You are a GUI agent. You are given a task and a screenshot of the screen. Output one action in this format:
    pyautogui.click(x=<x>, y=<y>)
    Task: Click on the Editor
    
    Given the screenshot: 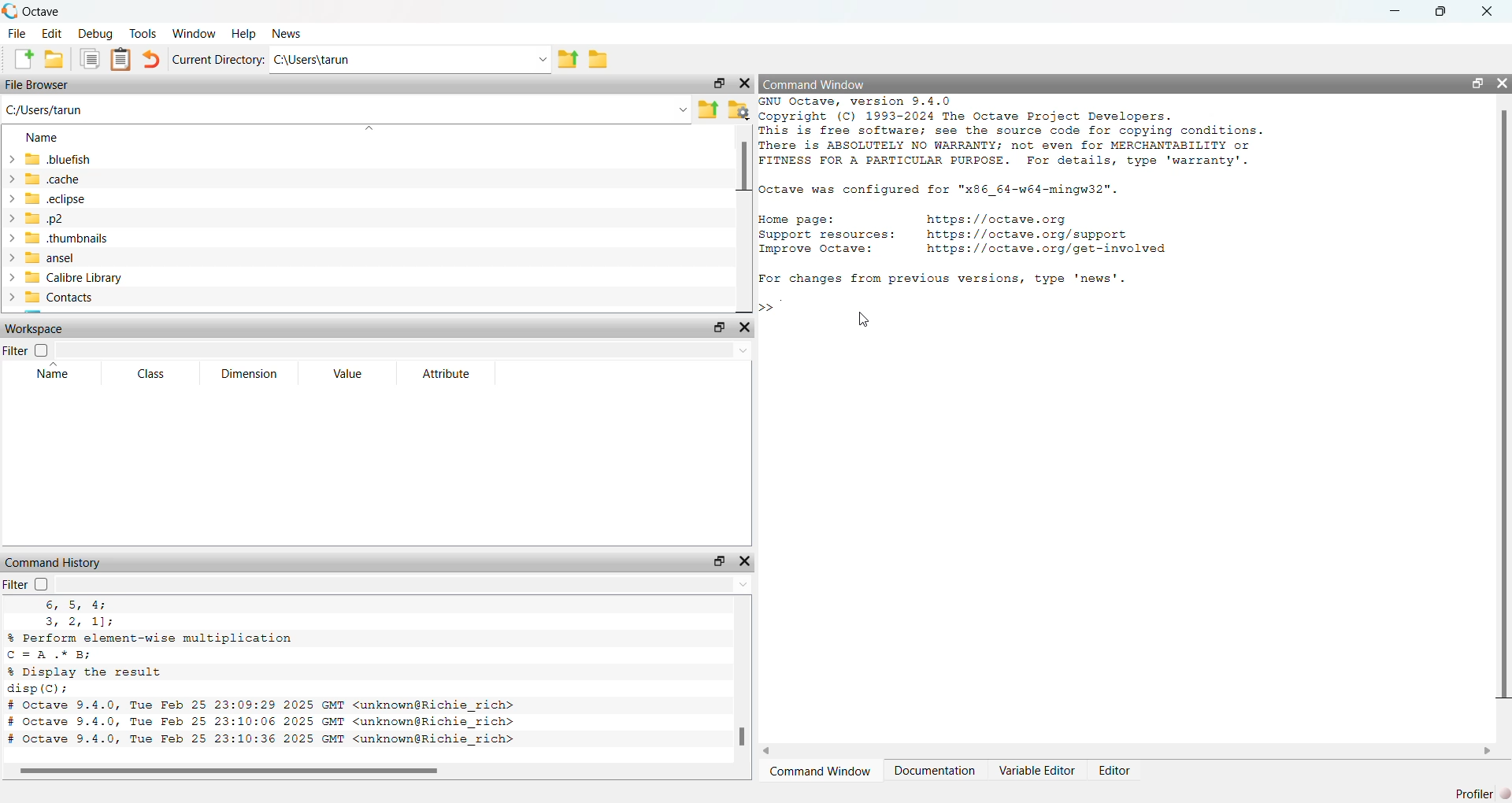 What is the action you would take?
    pyautogui.click(x=1115, y=772)
    